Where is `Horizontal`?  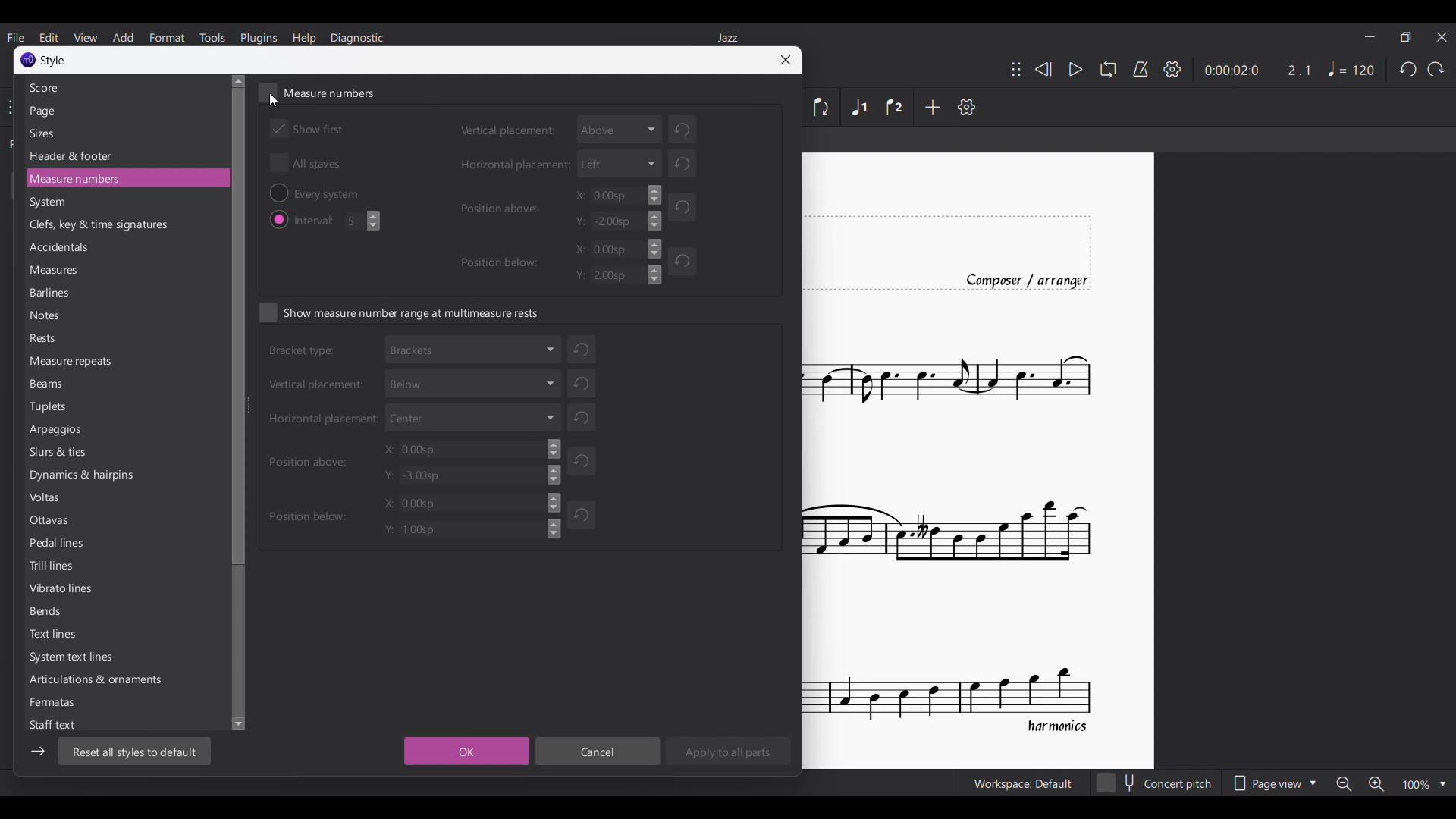
Horizontal is located at coordinates (510, 164).